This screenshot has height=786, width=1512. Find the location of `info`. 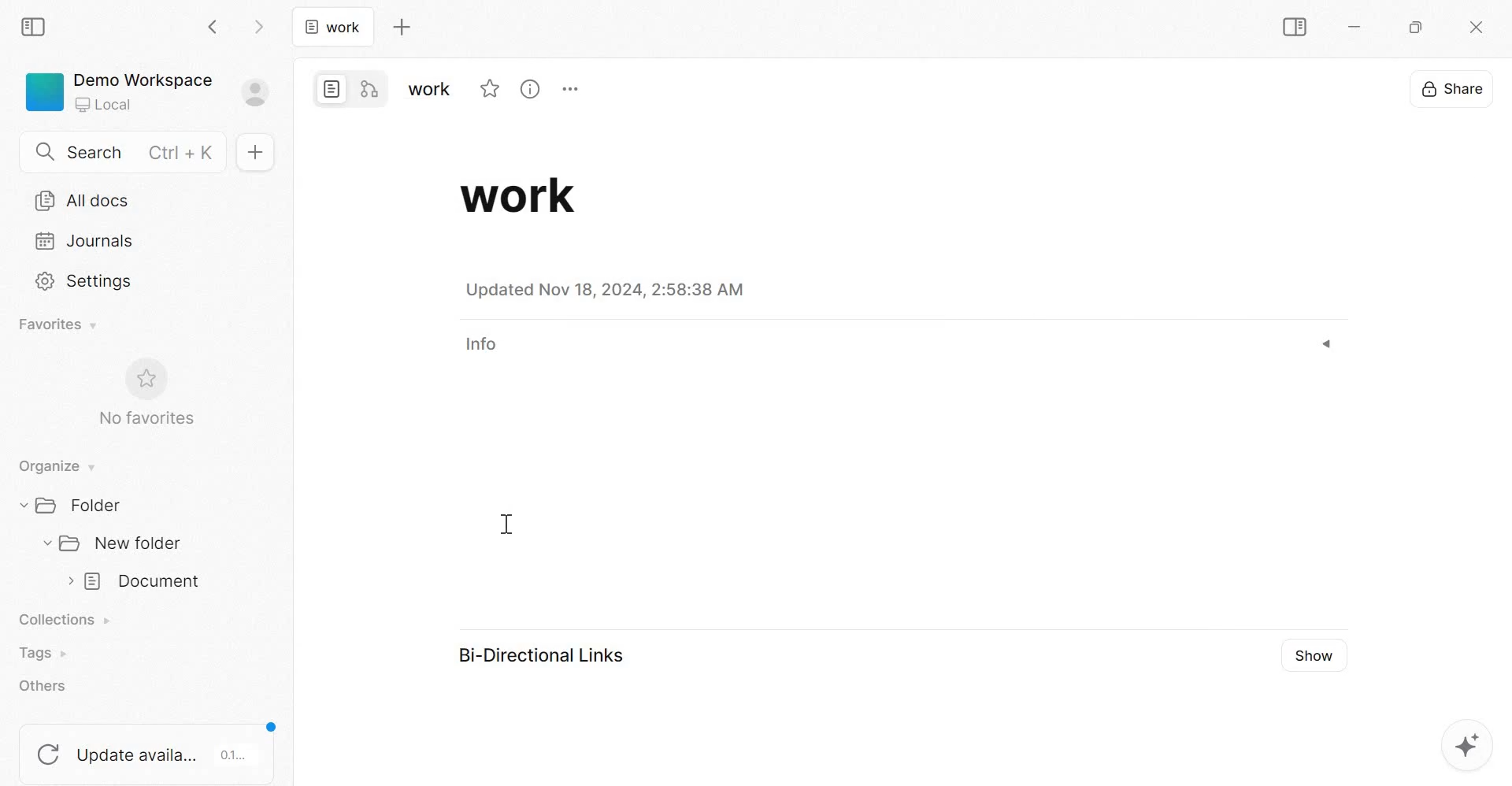

info is located at coordinates (495, 345).